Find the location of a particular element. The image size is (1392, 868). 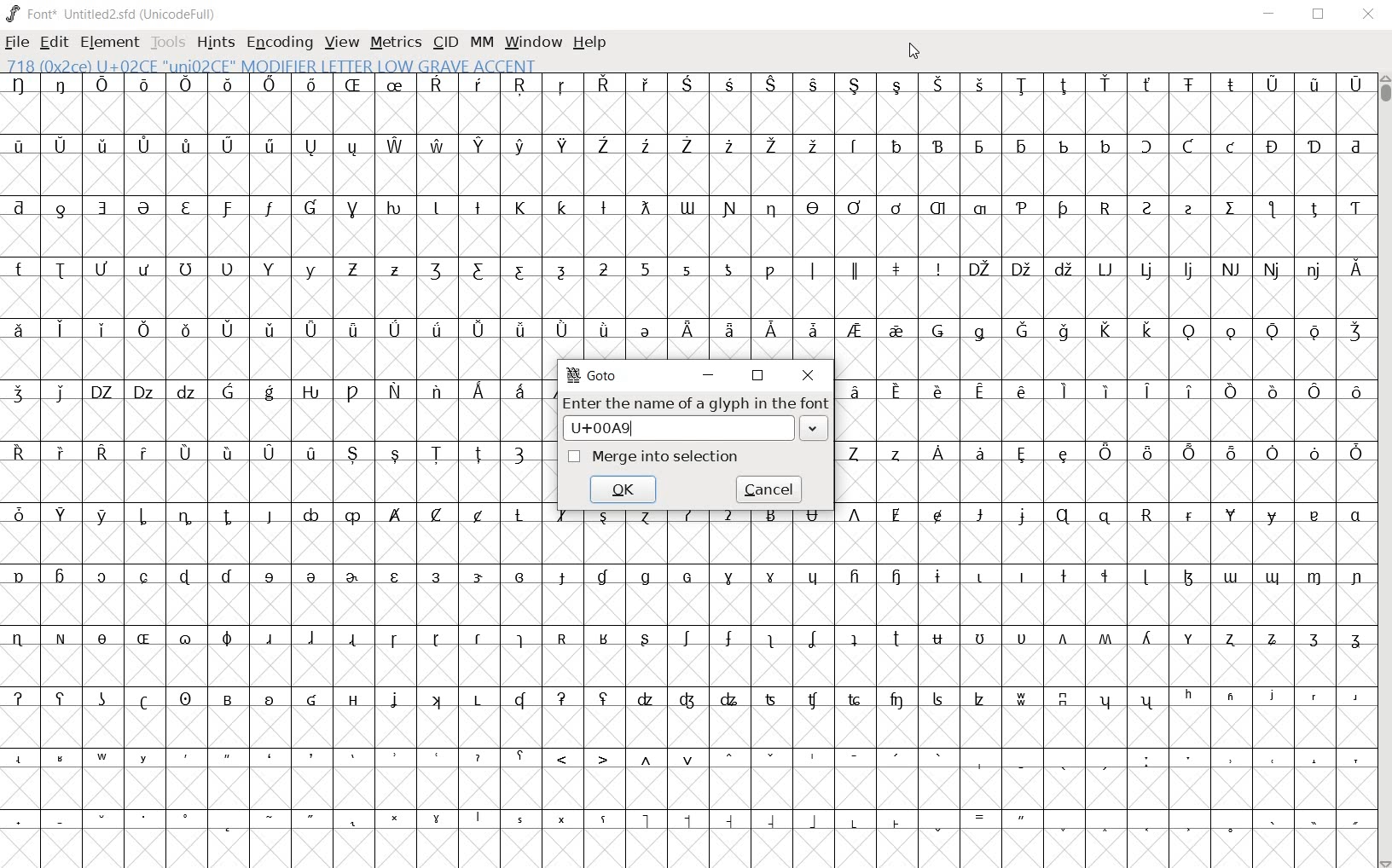

window is located at coordinates (531, 42).